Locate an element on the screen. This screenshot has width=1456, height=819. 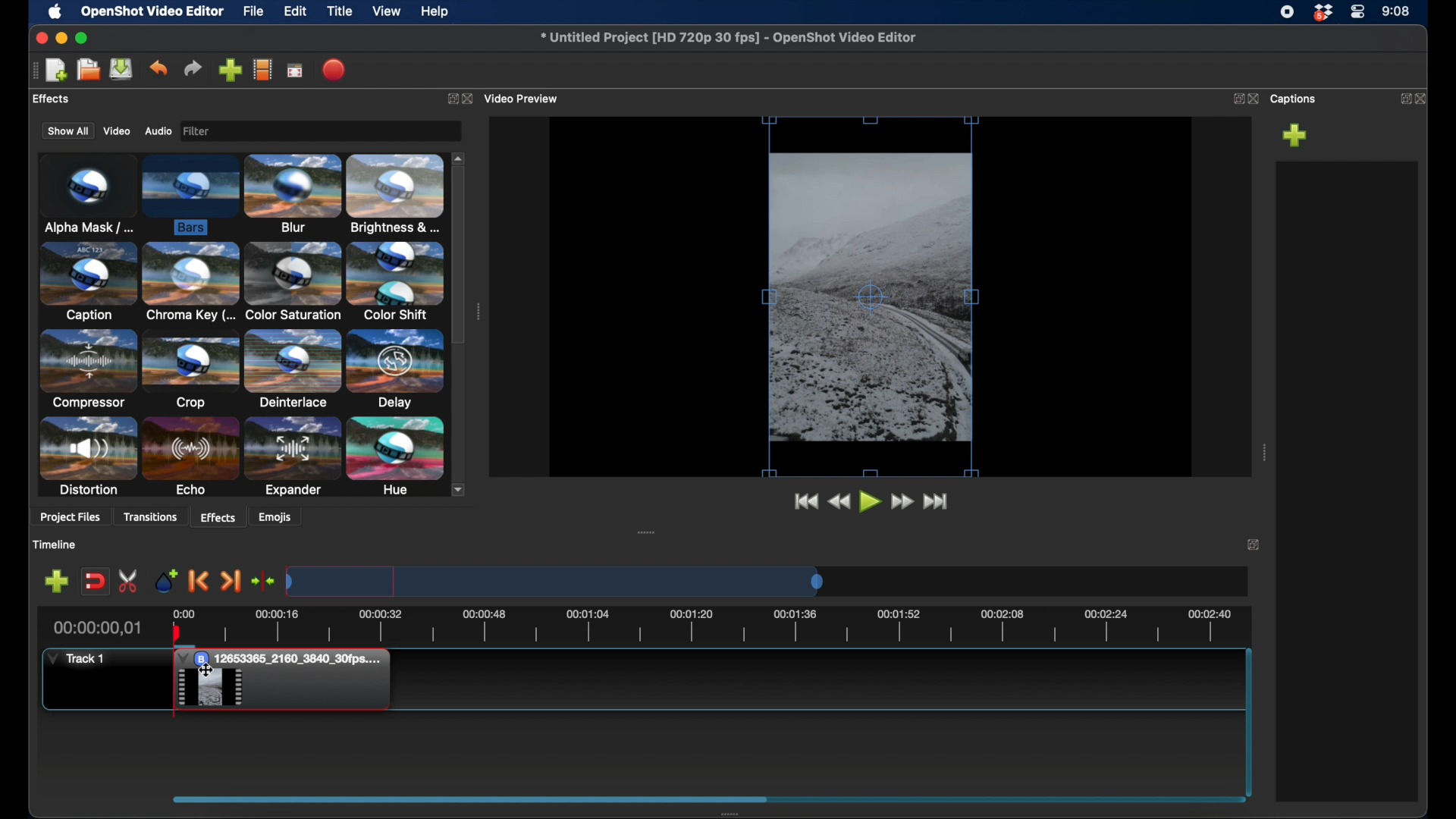
play is located at coordinates (869, 501).